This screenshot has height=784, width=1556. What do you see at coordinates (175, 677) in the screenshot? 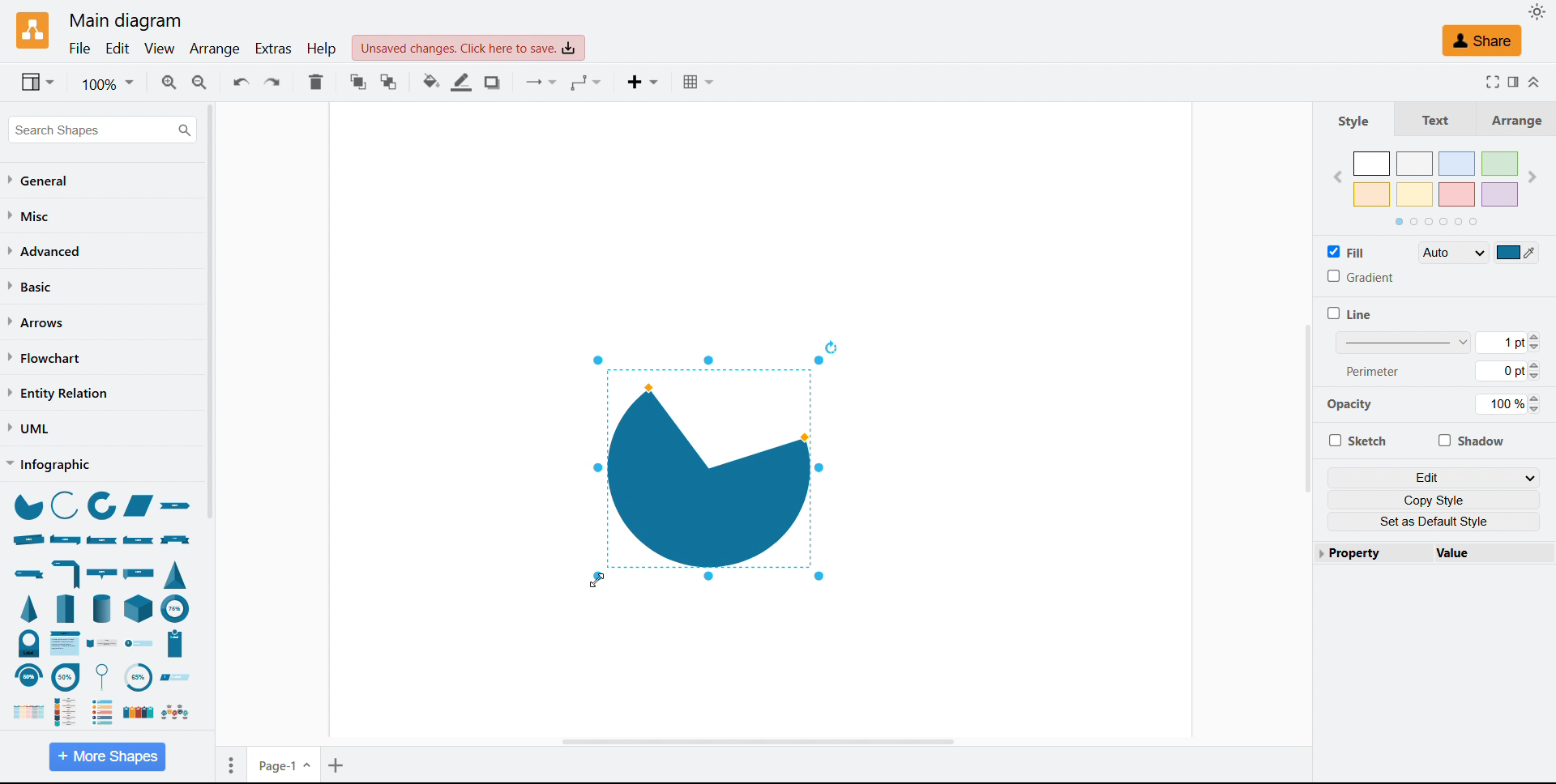
I see `angled entry` at bounding box center [175, 677].